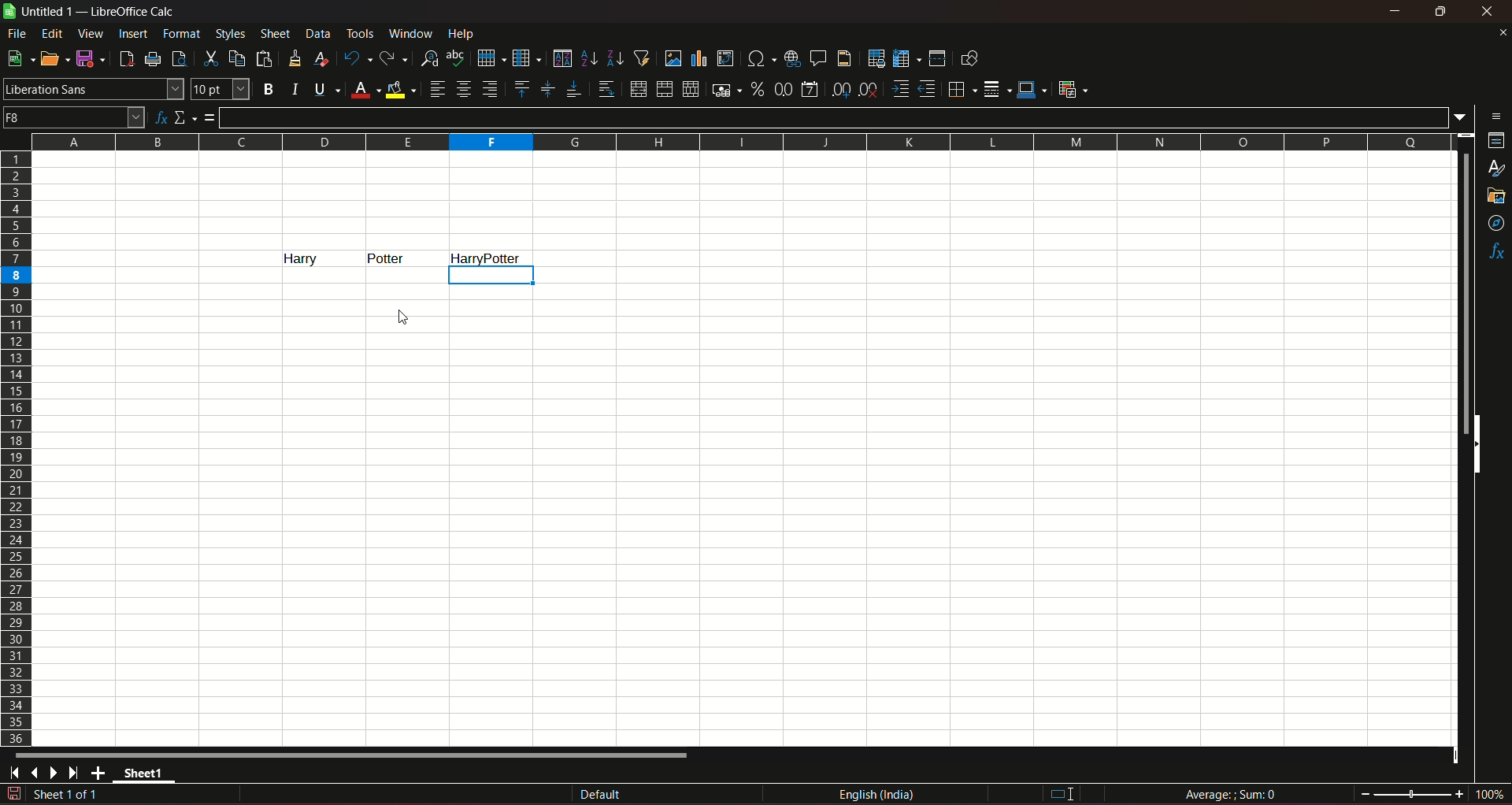 This screenshot has width=1512, height=805. I want to click on align top, so click(521, 88).